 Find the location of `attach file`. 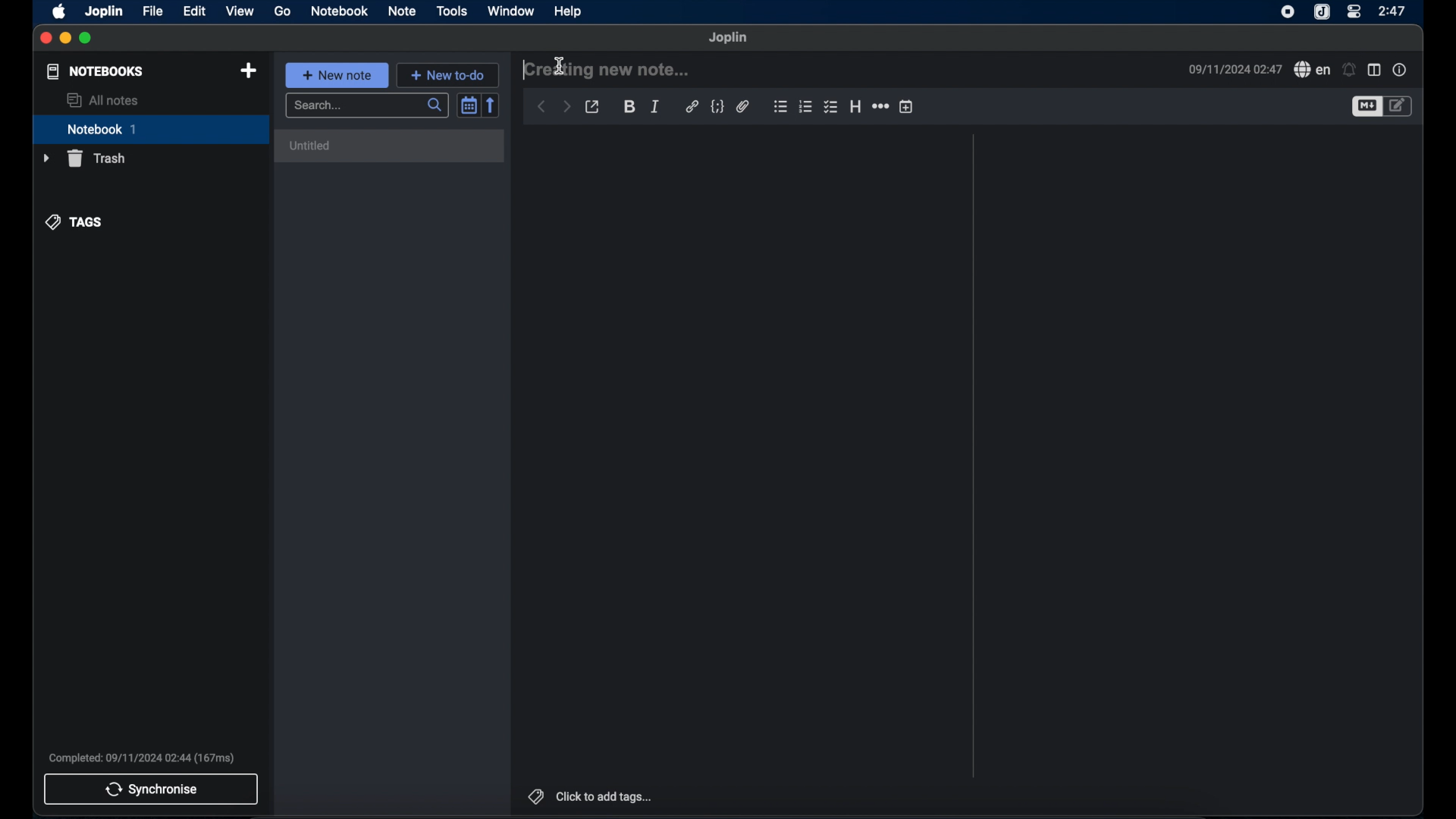

attach file is located at coordinates (742, 107).